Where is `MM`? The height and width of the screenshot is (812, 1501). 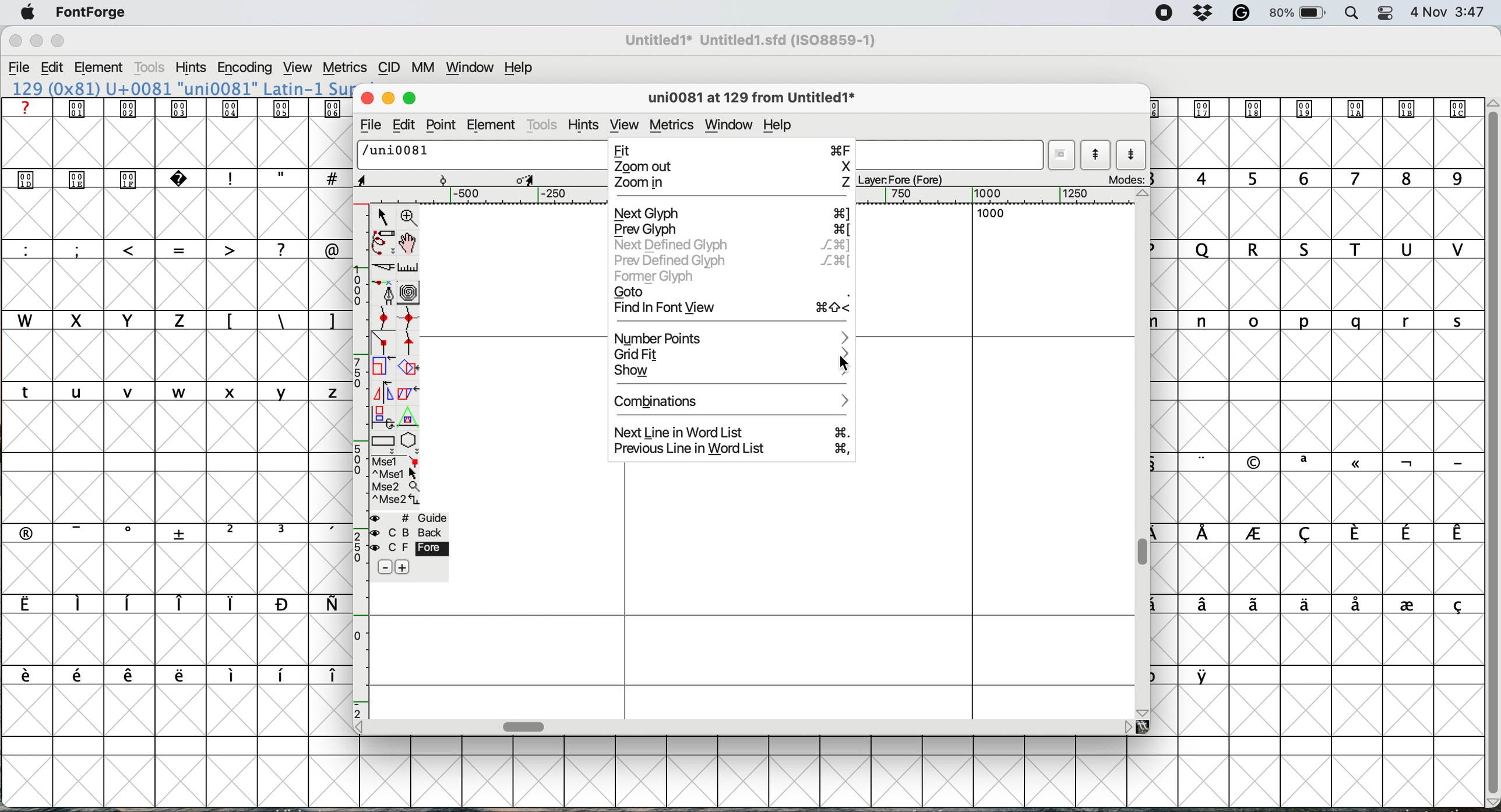 MM is located at coordinates (424, 68).